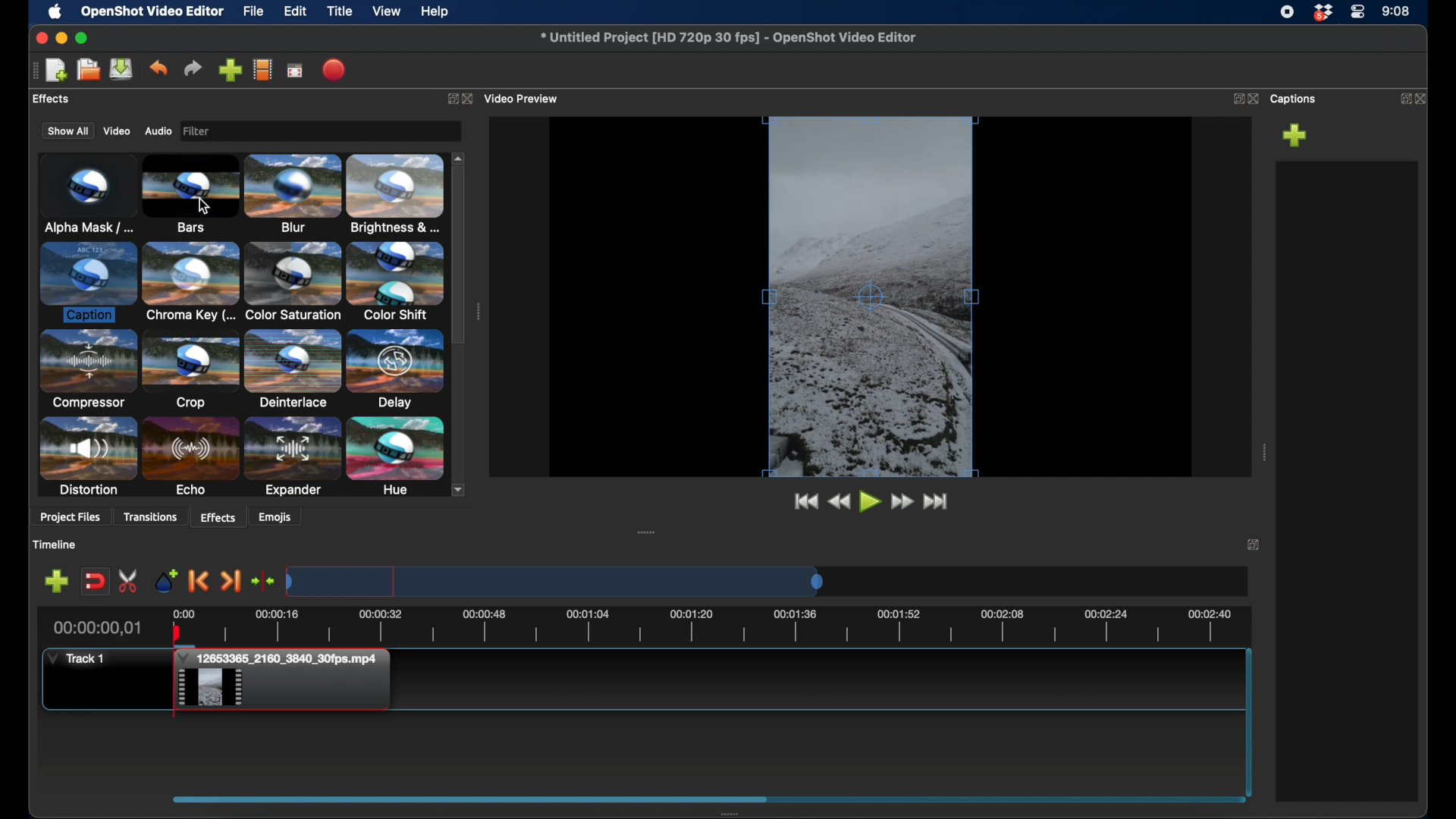 The height and width of the screenshot is (819, 1456). I want to click on crop, so click(190, 371).